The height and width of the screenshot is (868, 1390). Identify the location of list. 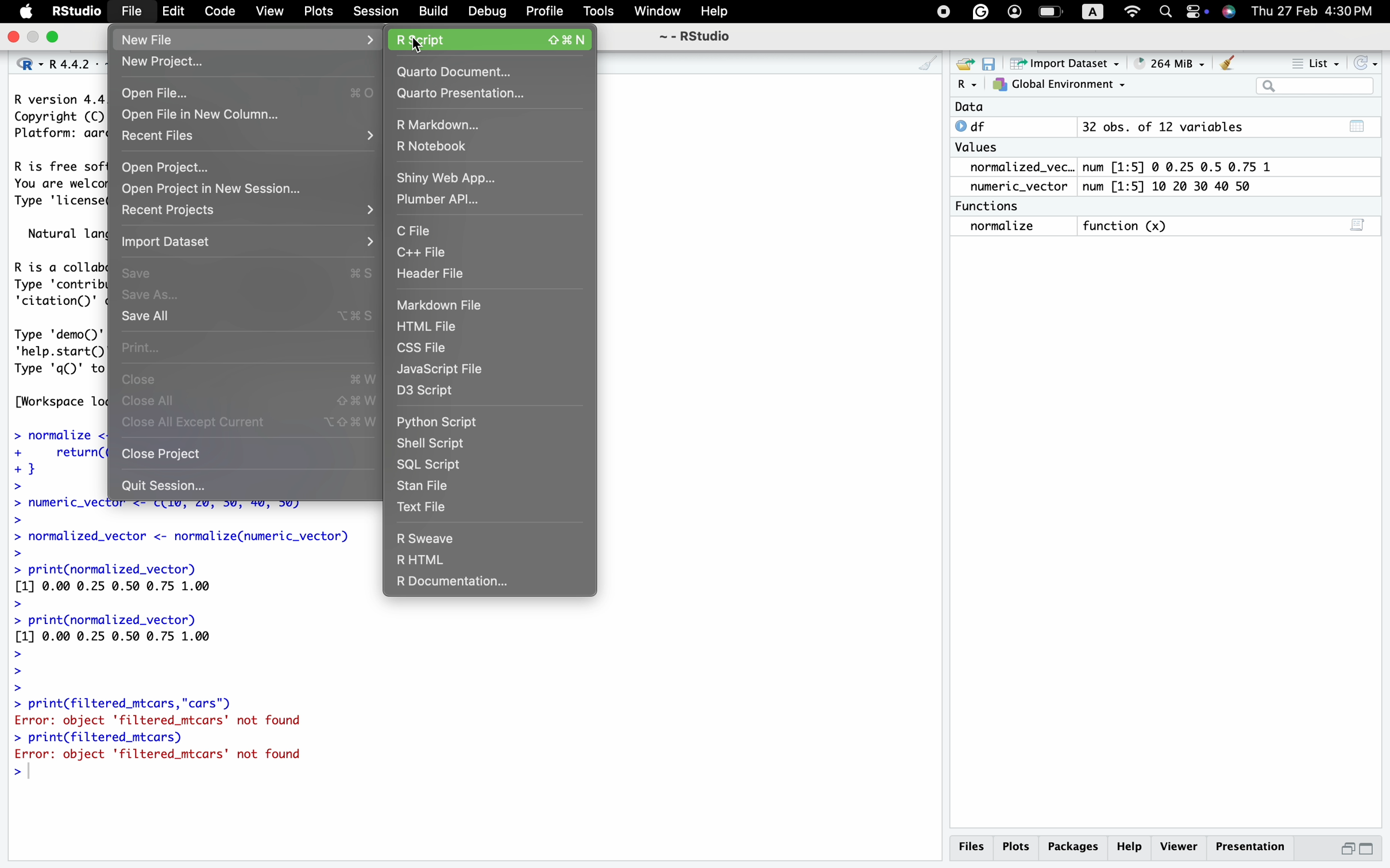
(1311, 60).